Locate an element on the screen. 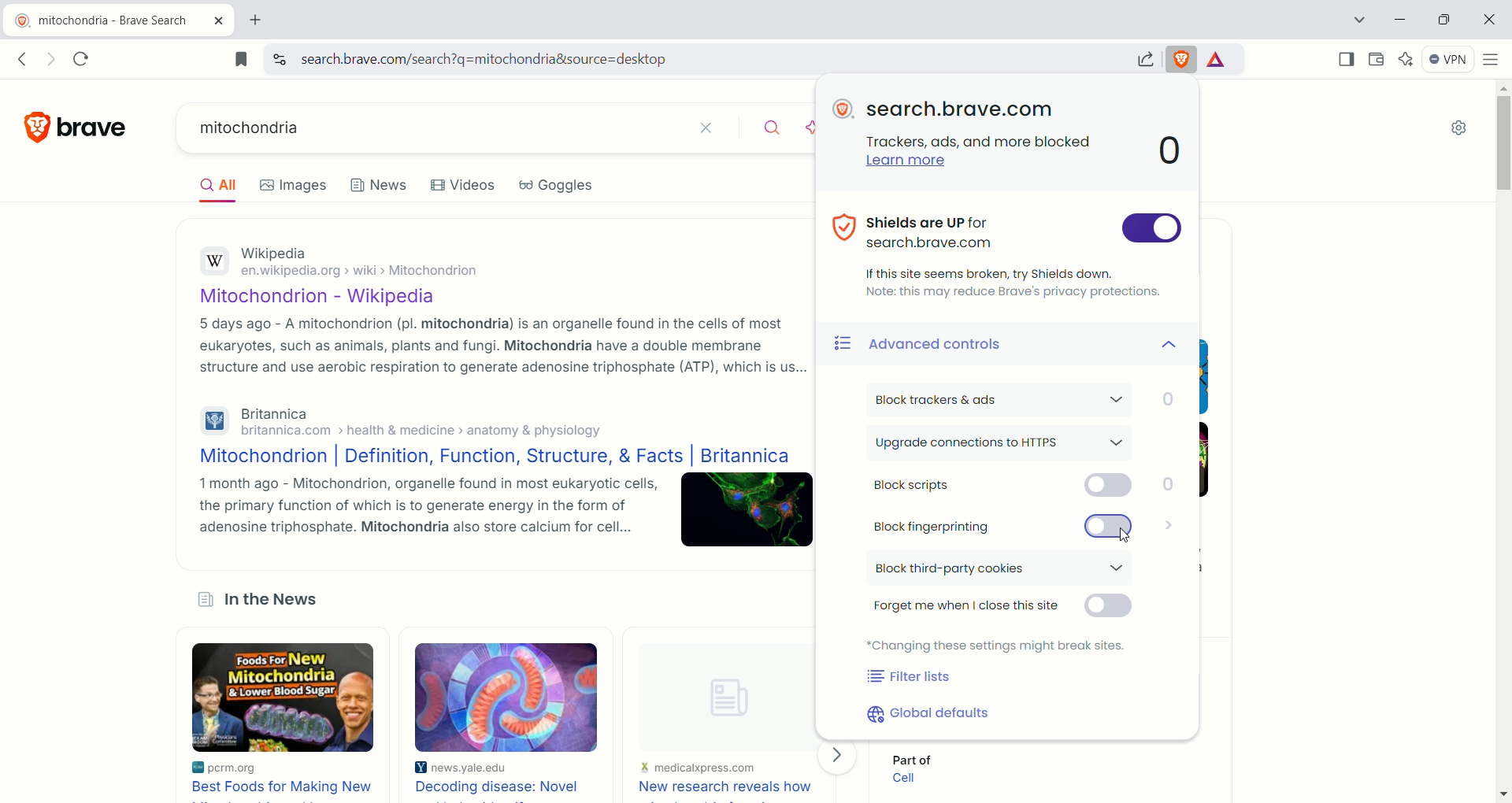  news.yale.edu is located at coordinates (471, 768).